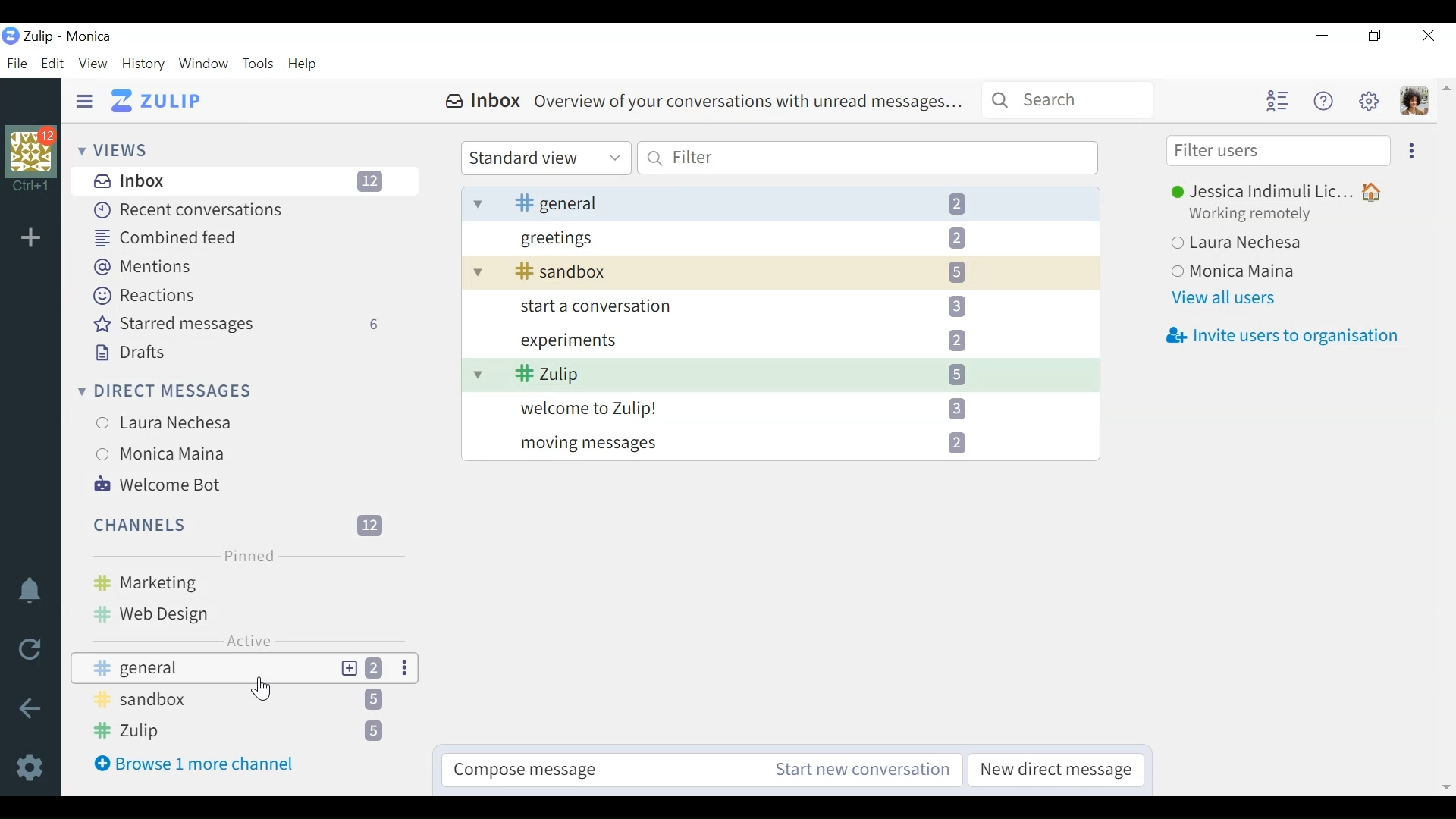 Image resolution: width=1456 pixels, height=819 pixels. What do you see at coordinates (247, 180) in the screenshot?
I see `Inbox 12` at bounding box center [247, 180].